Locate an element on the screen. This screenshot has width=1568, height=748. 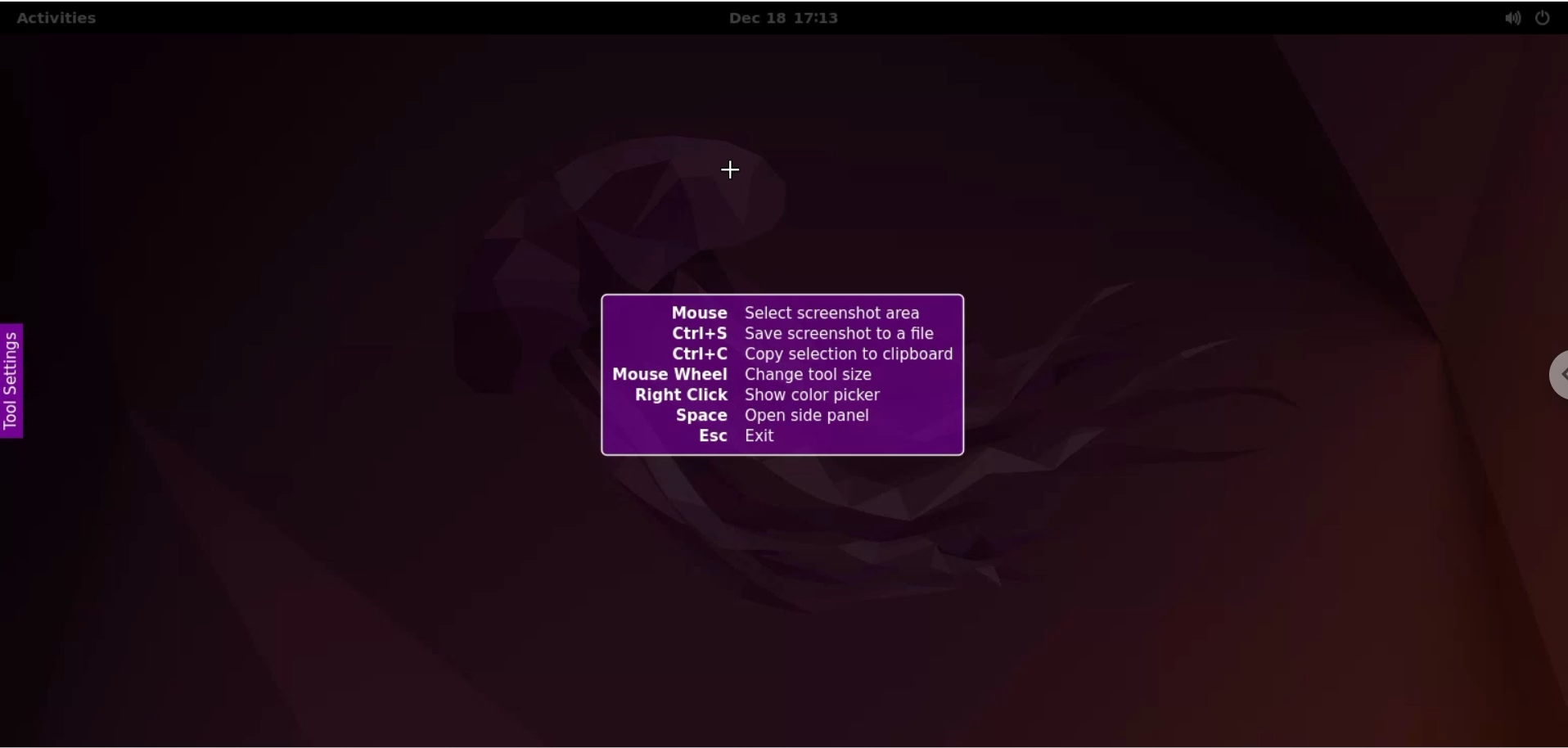
chrome settings is located at coordinates (1552, 376).